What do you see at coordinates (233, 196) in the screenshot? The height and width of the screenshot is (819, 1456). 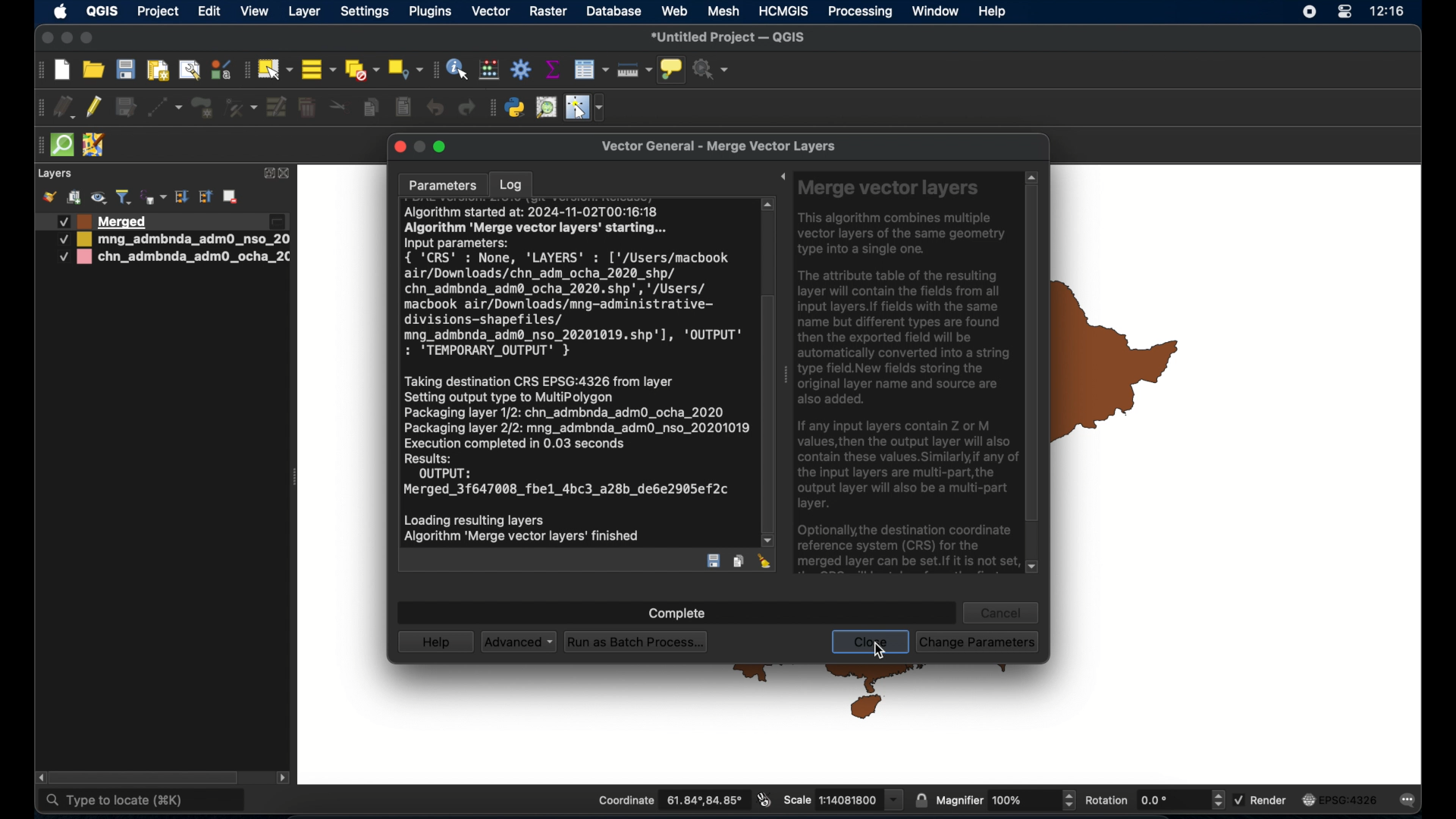 I see `remove layer/group` at bounding box center [233, 196].